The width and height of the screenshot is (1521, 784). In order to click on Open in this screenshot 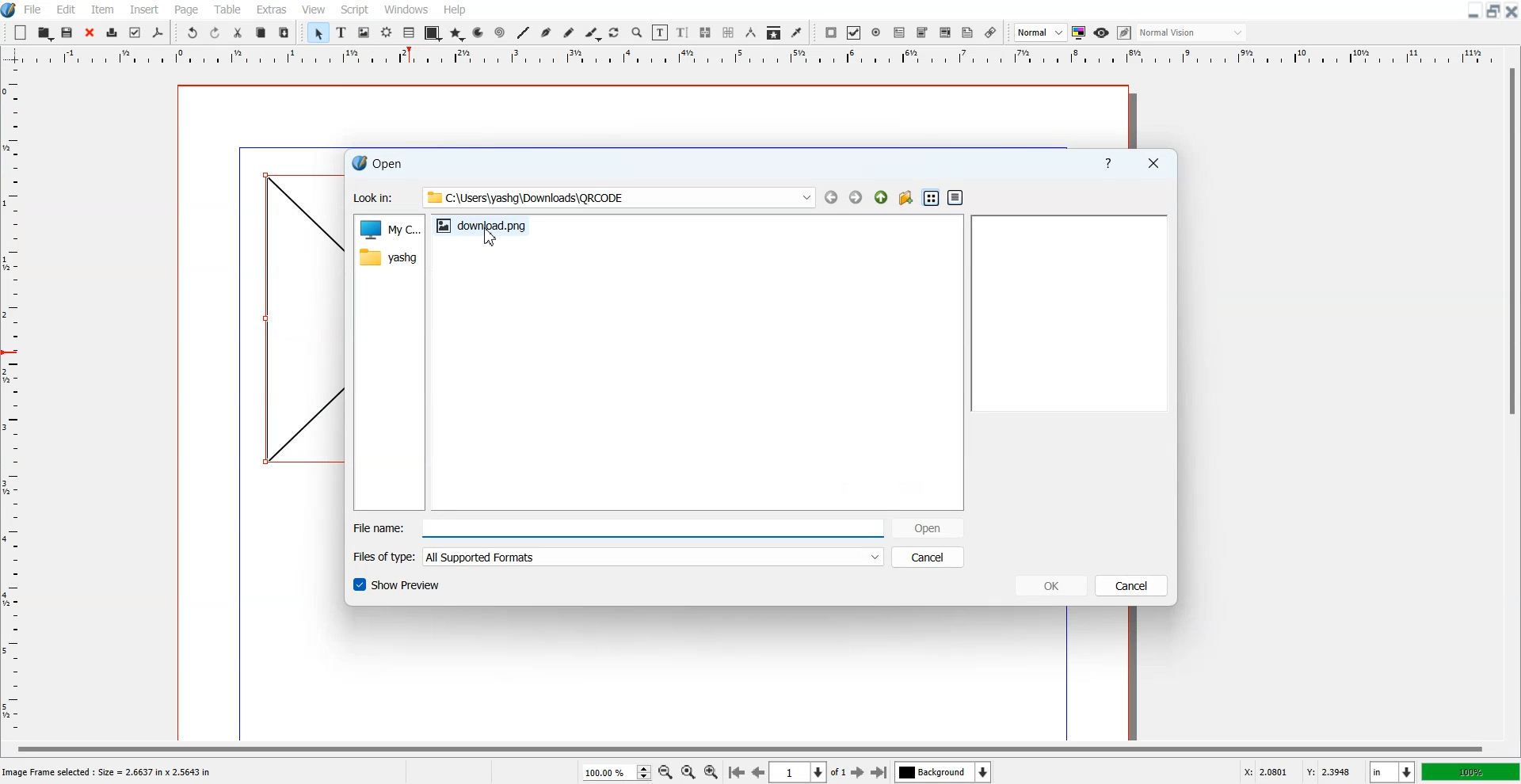, I will do `click(45, 32)`.